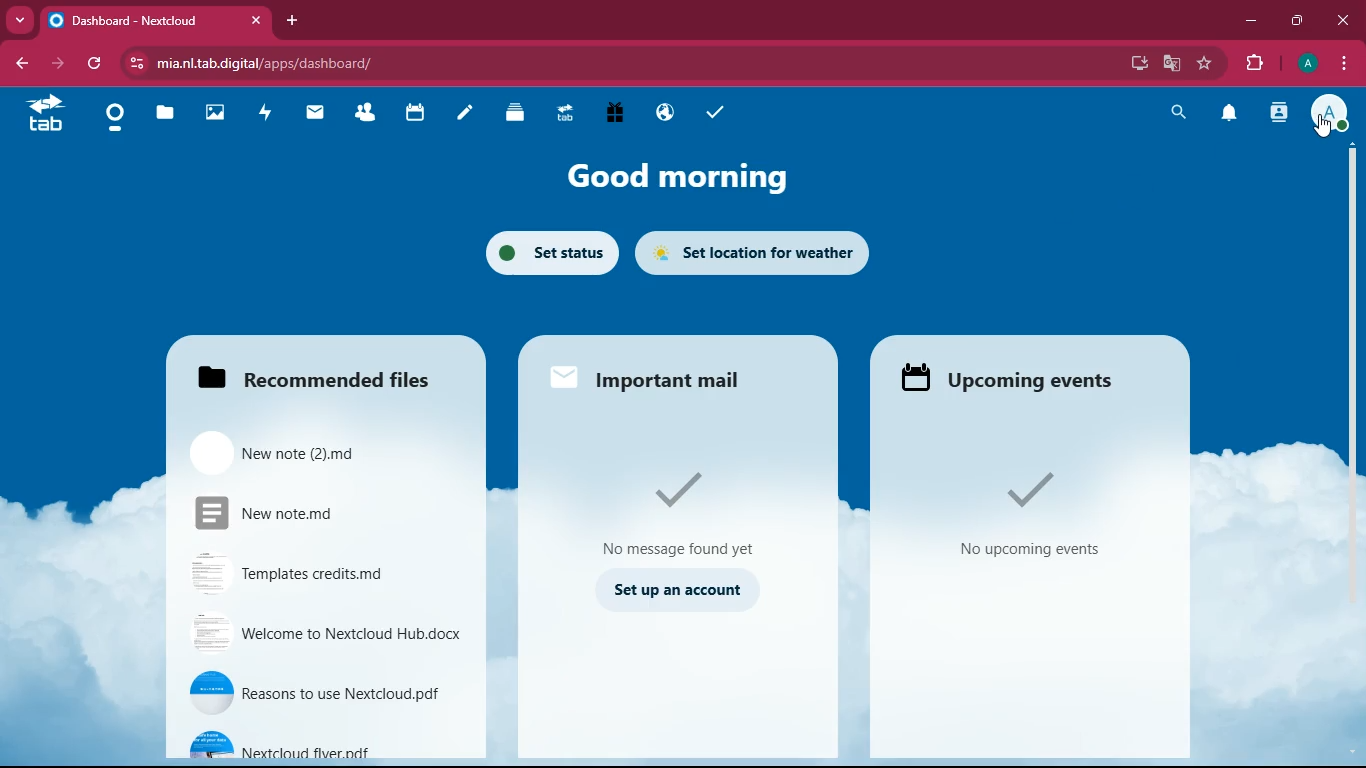 The height and width of the screenshot is (768, 1366). I want to click on tick, so click(671, 488).